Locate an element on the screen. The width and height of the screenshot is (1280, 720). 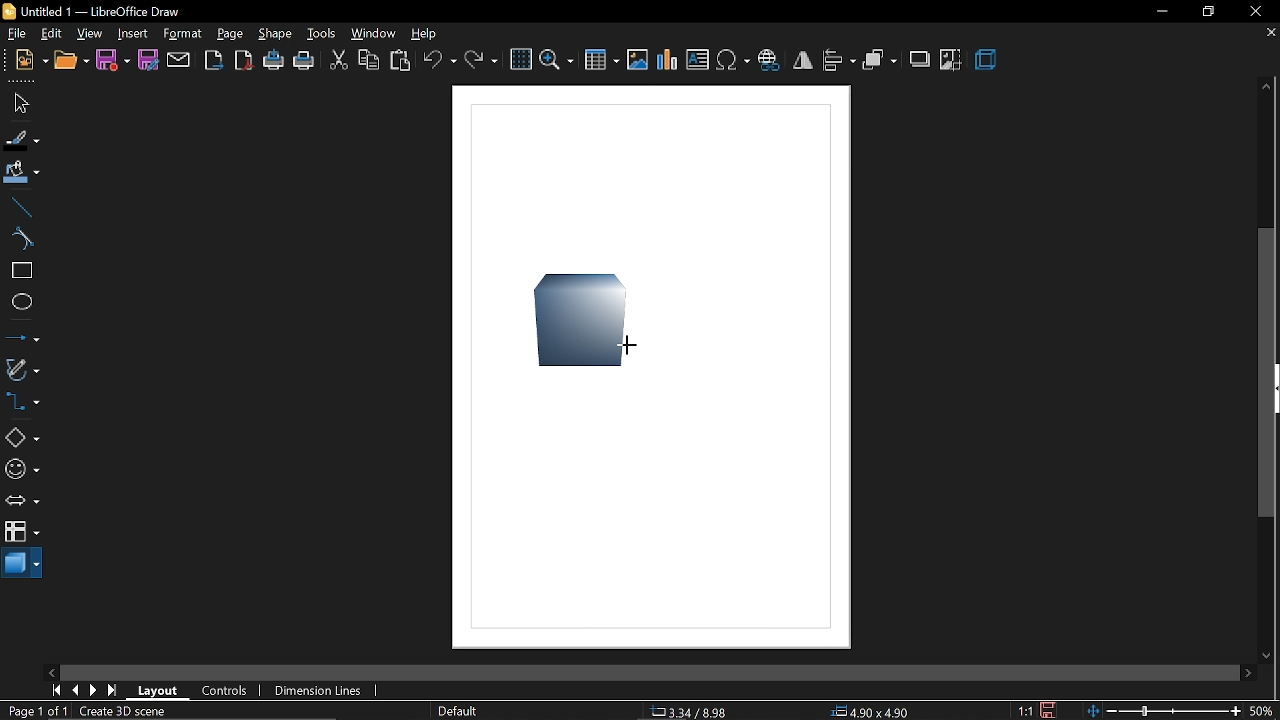
insert hyperlink is located at coordinates (769, 62).